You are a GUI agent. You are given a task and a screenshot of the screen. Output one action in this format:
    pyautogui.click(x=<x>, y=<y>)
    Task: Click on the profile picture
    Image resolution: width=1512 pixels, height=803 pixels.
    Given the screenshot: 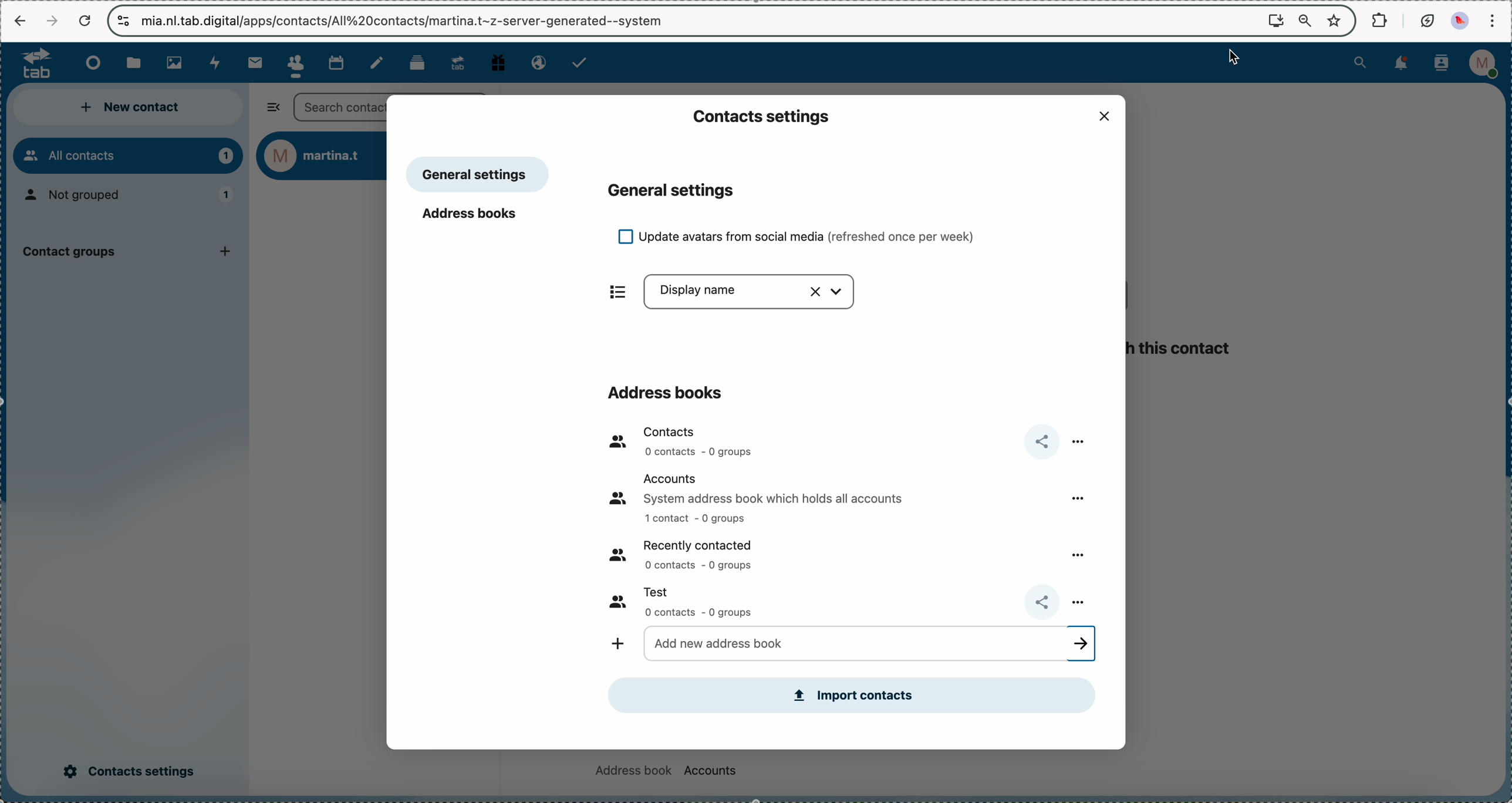 What is the action you would take?
    pyautogui.click(x=1460, y=20)
    